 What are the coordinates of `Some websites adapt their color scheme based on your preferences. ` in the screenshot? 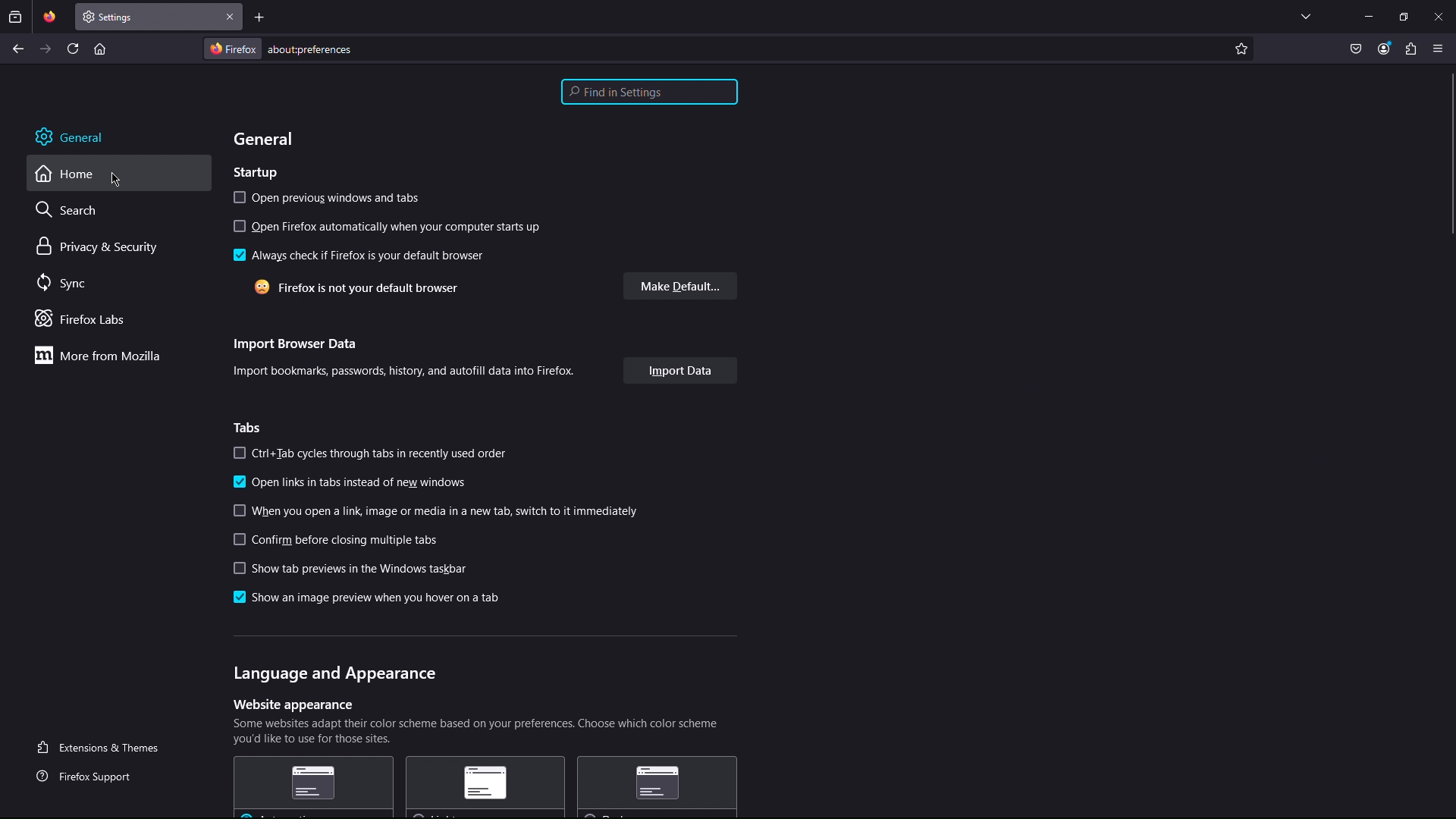 It's located at (475, 732).